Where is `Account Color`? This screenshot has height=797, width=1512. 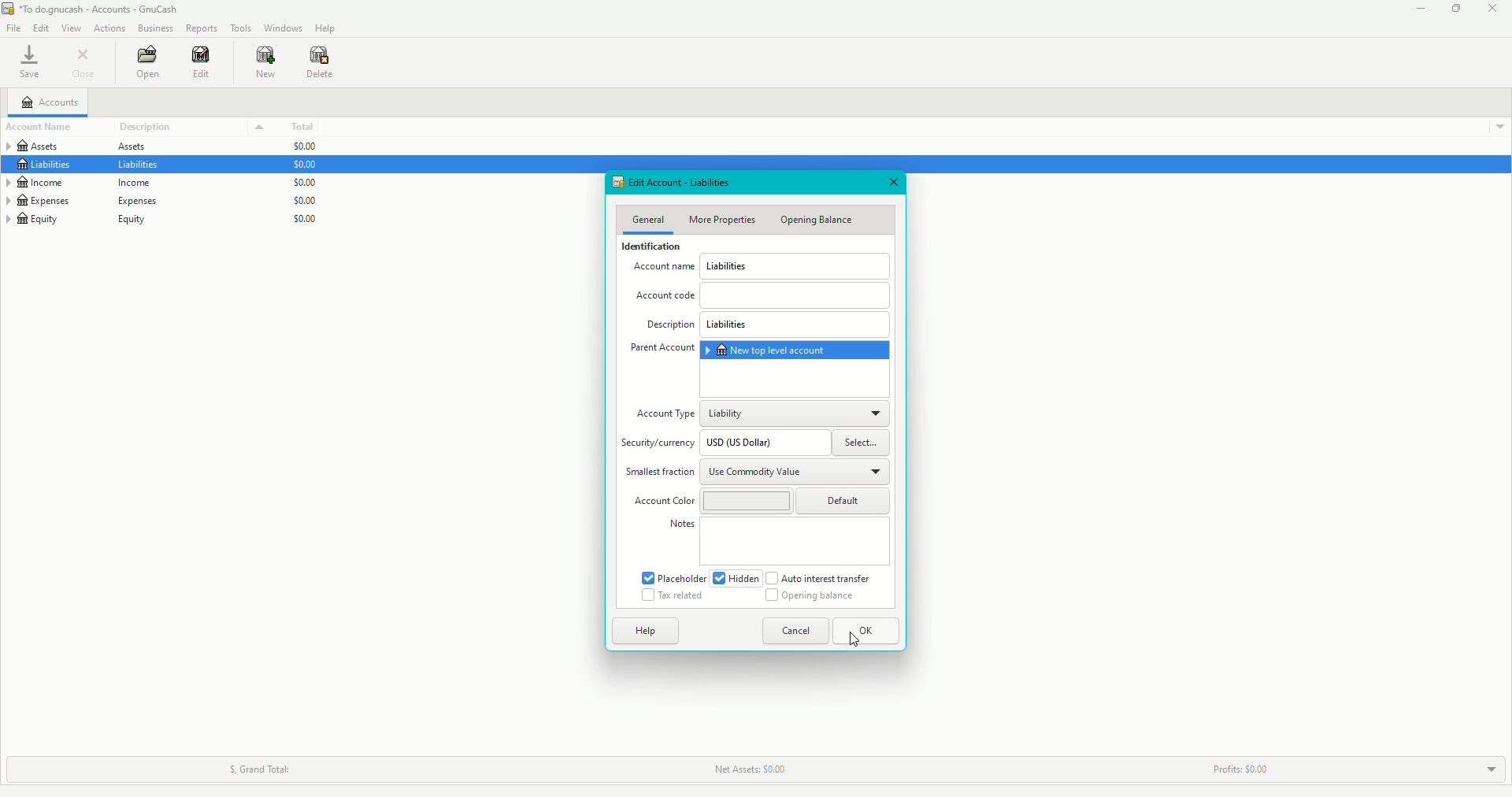 Account Color is located at coordinates (660, 500).